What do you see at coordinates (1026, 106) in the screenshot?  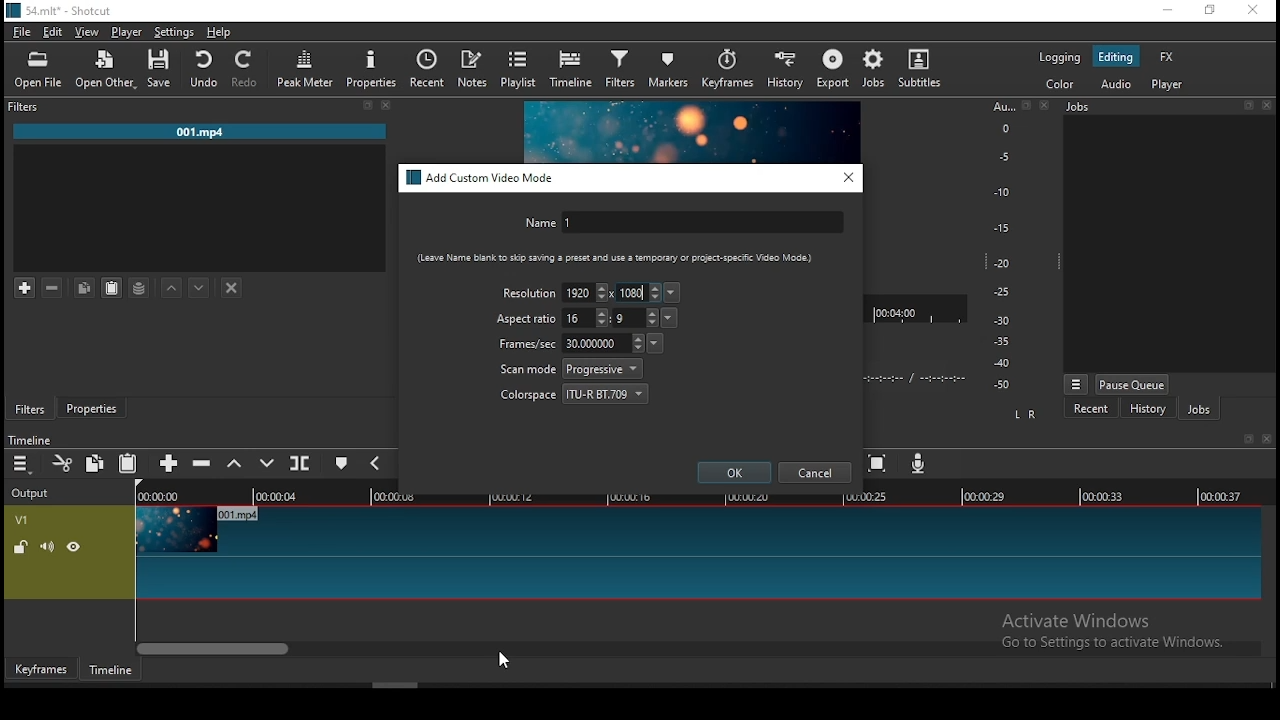 I see `restore` at bounding box center [1026, 106].